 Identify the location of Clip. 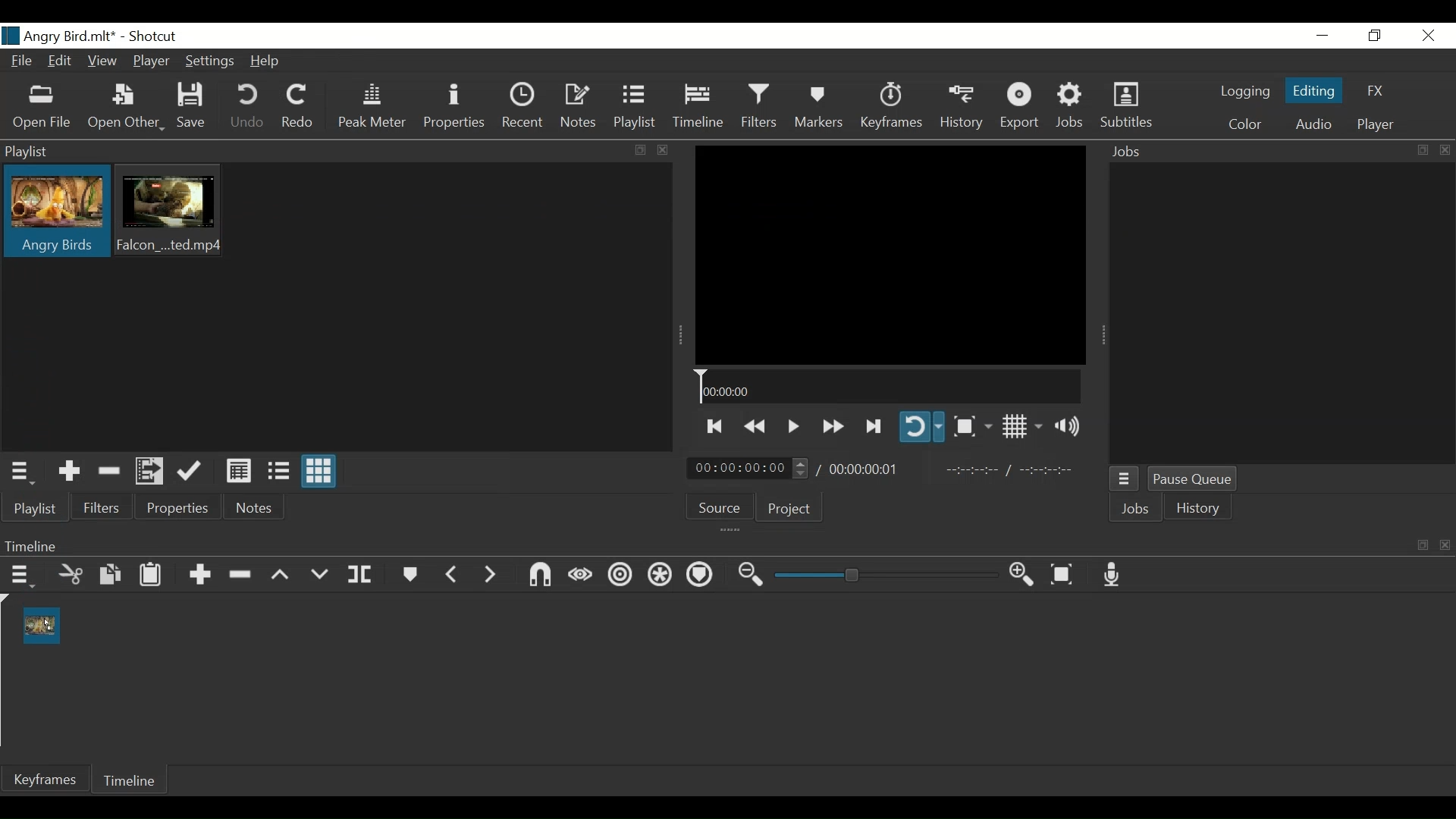
(44, 626).